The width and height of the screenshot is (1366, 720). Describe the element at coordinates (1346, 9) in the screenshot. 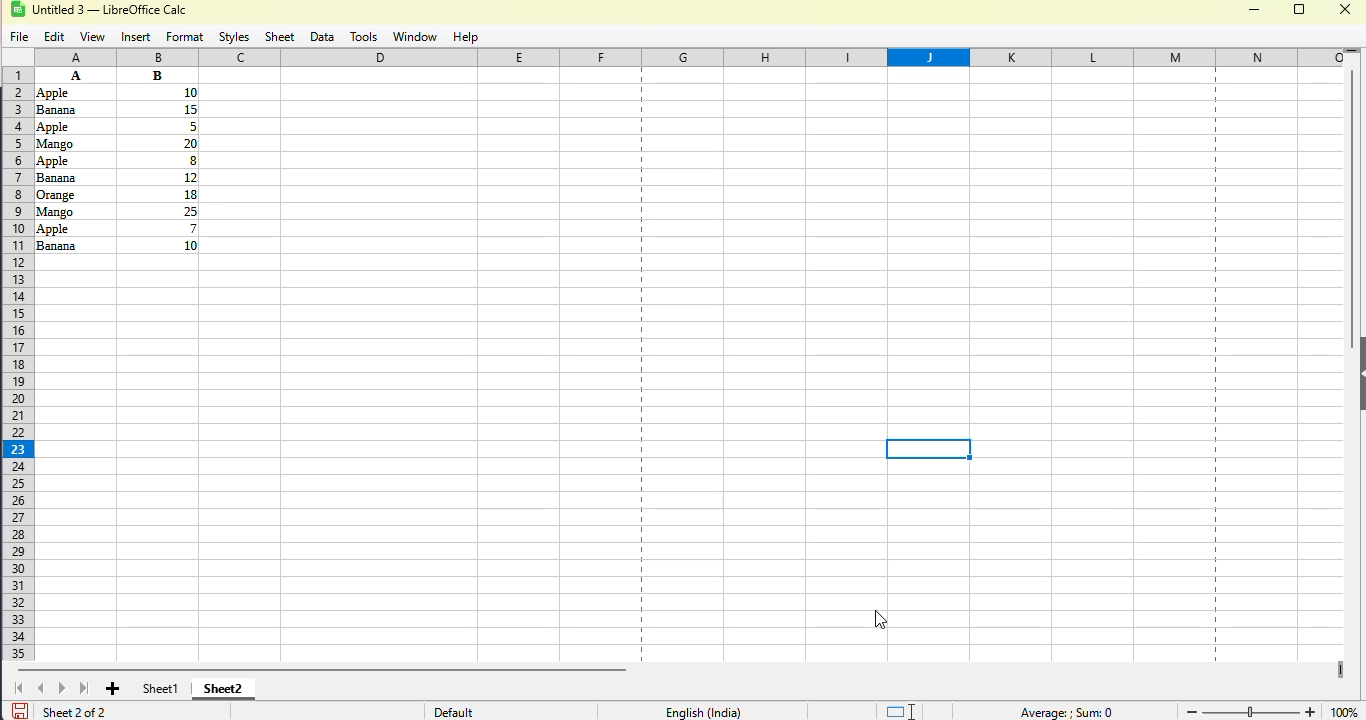

I see `close` at that location.